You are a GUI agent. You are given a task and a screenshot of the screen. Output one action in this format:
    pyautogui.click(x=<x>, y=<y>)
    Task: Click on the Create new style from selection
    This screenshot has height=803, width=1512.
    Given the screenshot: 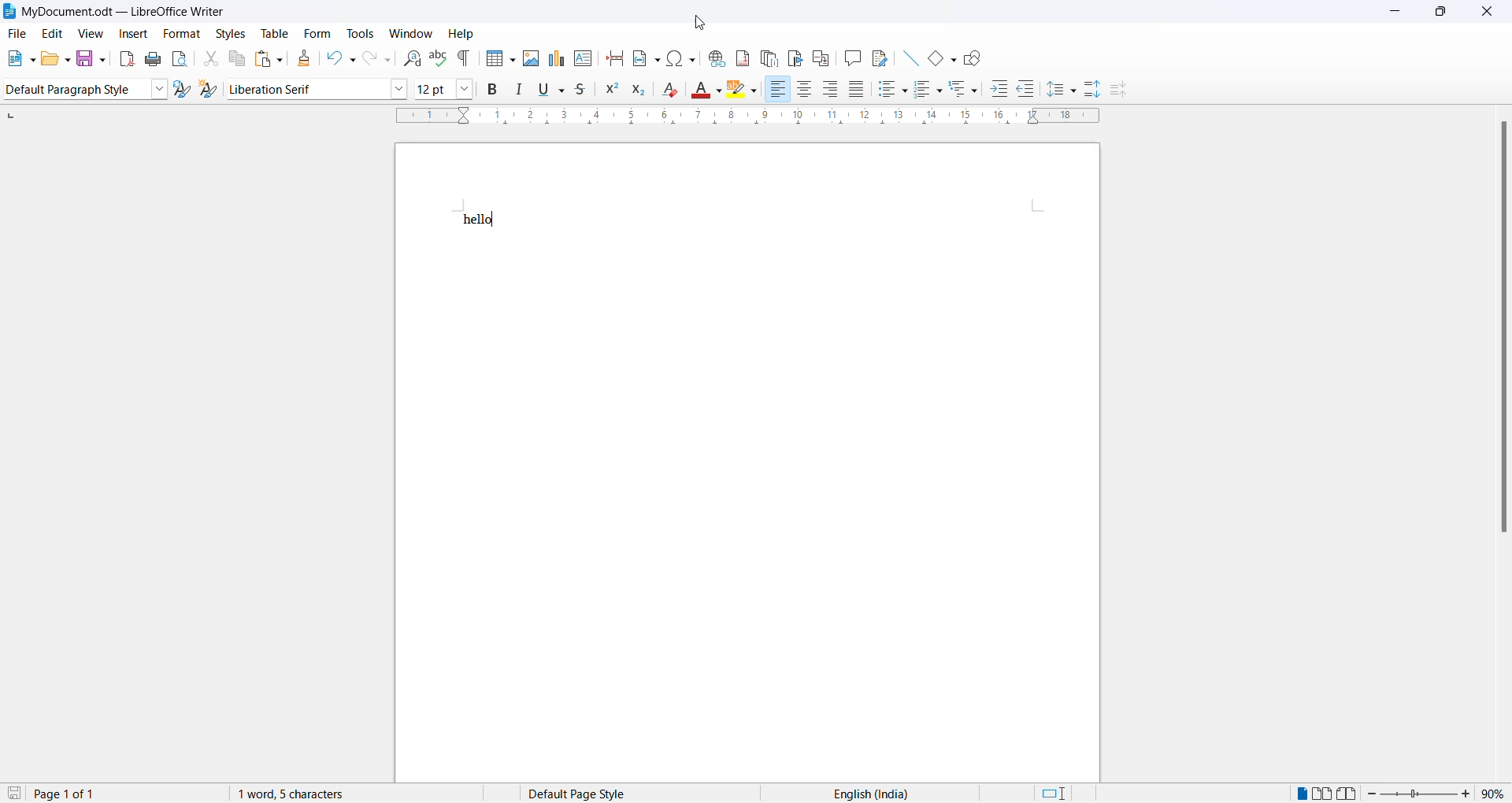 What is the action you would take?
    pyautogui.click(x=211, y=89)
    